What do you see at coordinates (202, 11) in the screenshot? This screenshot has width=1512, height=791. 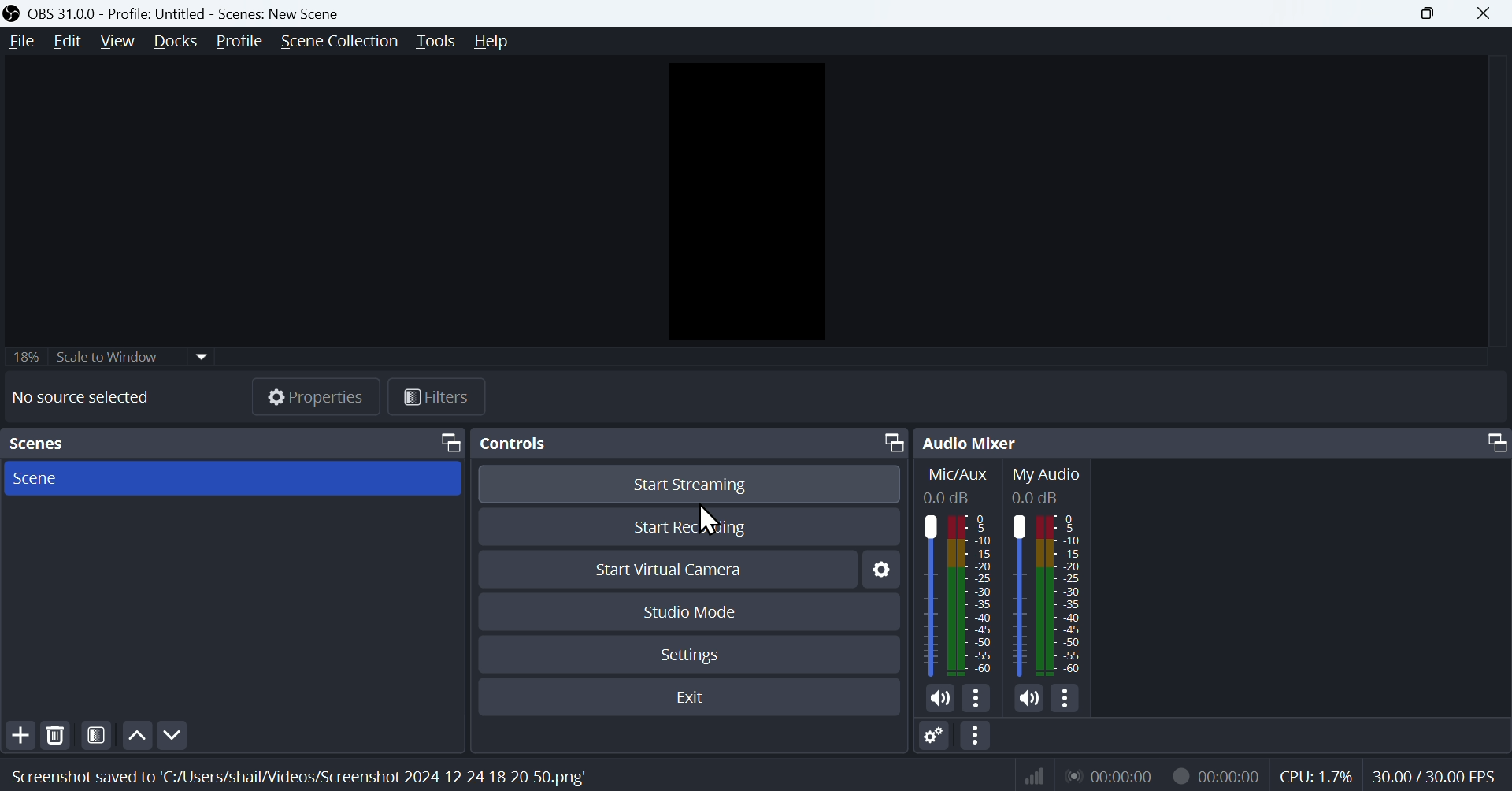 I see `OBS 31.0.0` at bounding box center [202, 11].